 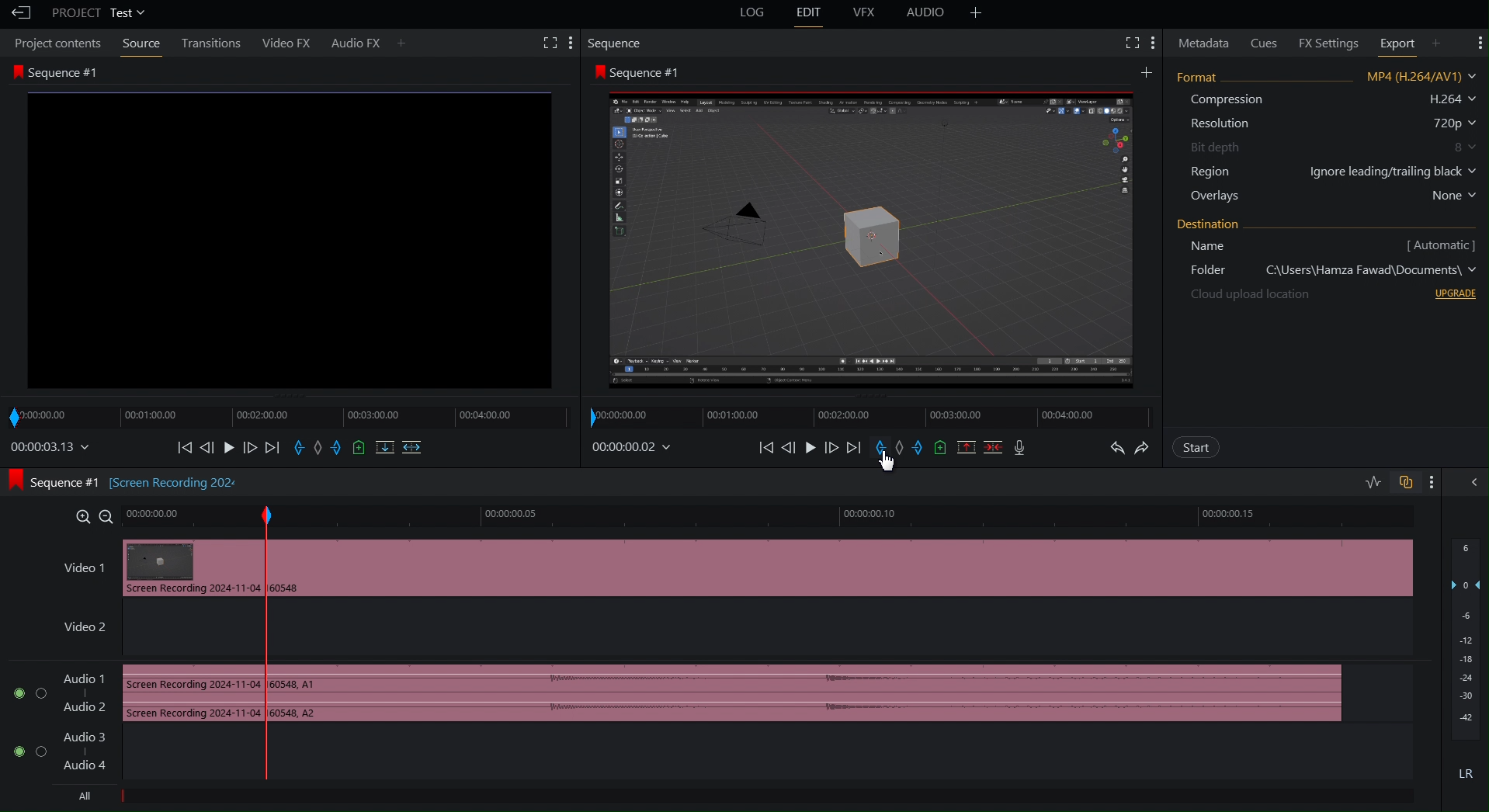 I want to click on Sequence 1 Preview, so click(x=869, y=228).